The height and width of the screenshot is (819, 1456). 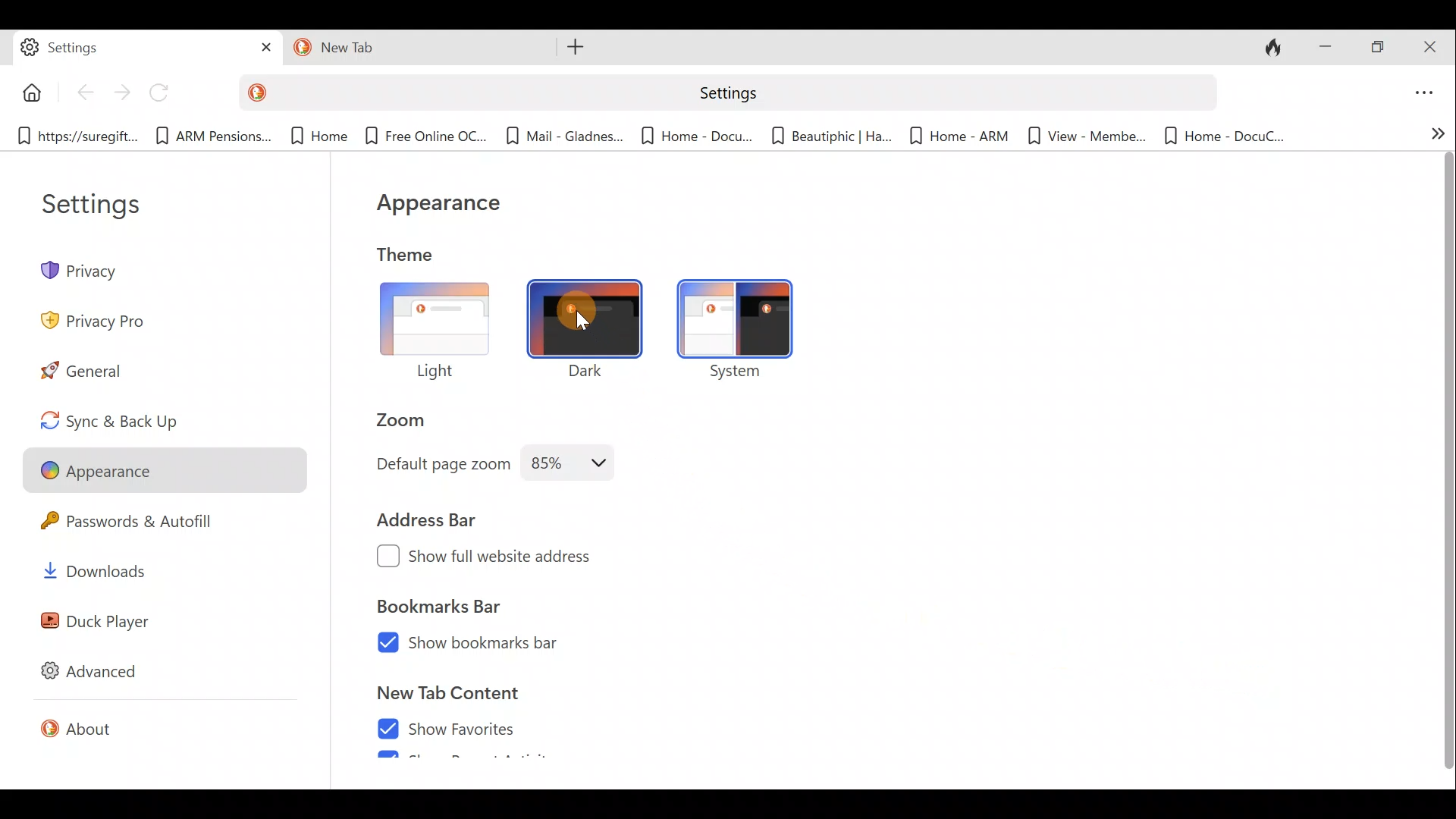 I want to click on Scroll bar, so click(x=1444, y=472).